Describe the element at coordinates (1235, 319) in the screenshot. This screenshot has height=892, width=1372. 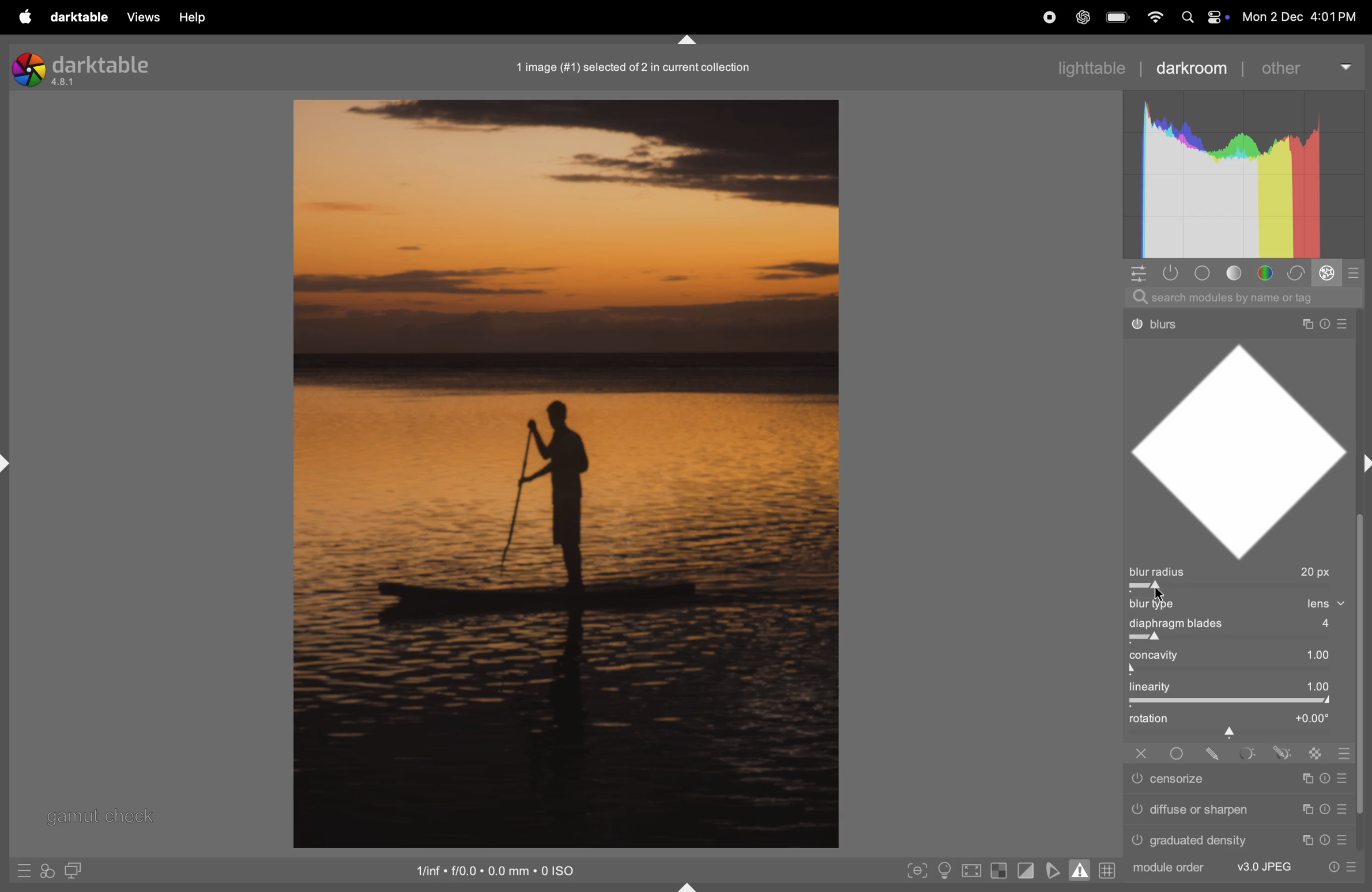
I see `` at that location.